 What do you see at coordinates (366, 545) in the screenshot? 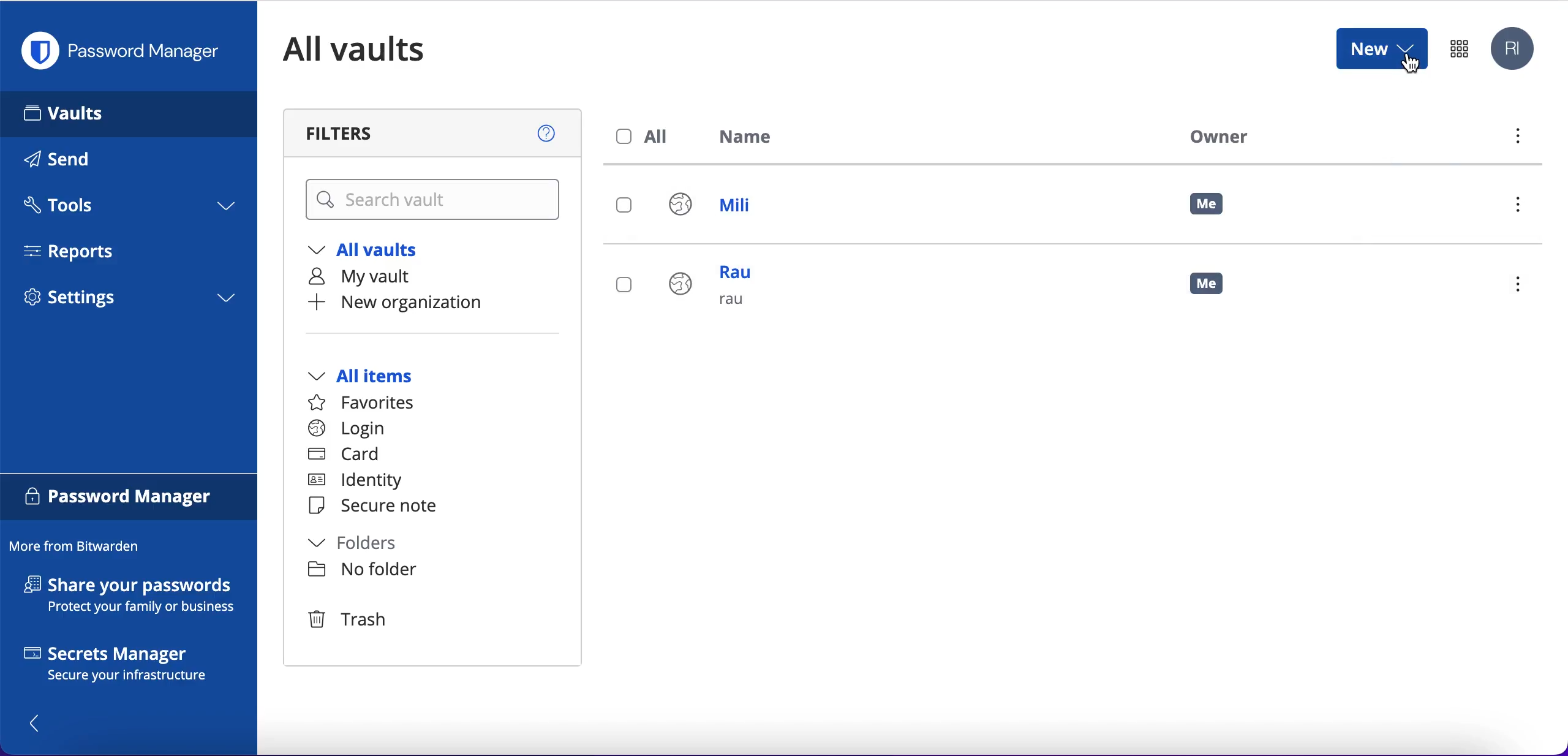
I see `folders` at bounding box center [366, 545].